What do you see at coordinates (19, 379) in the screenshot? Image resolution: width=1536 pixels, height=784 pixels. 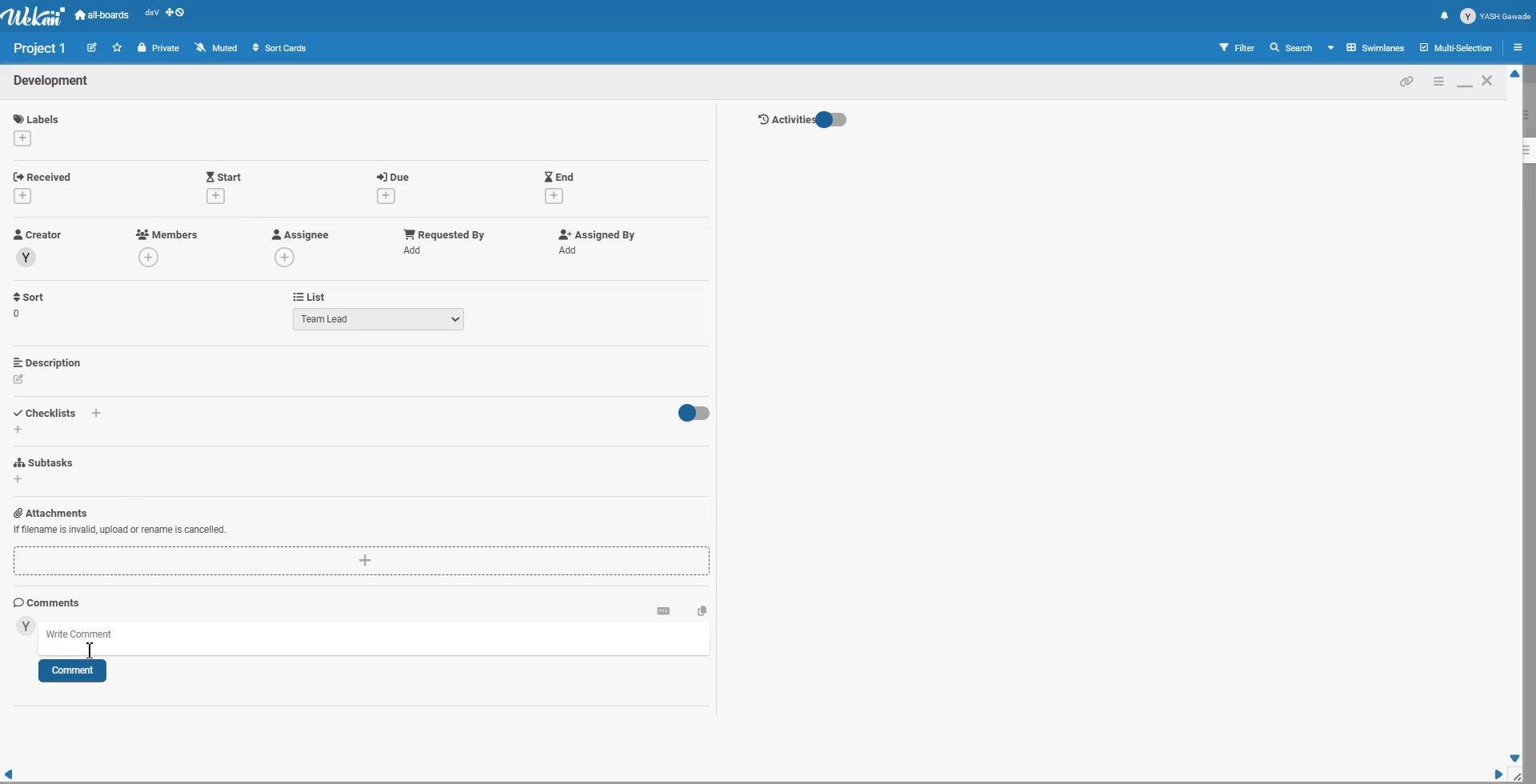 I see `edit` at bounding box center [19, 379].